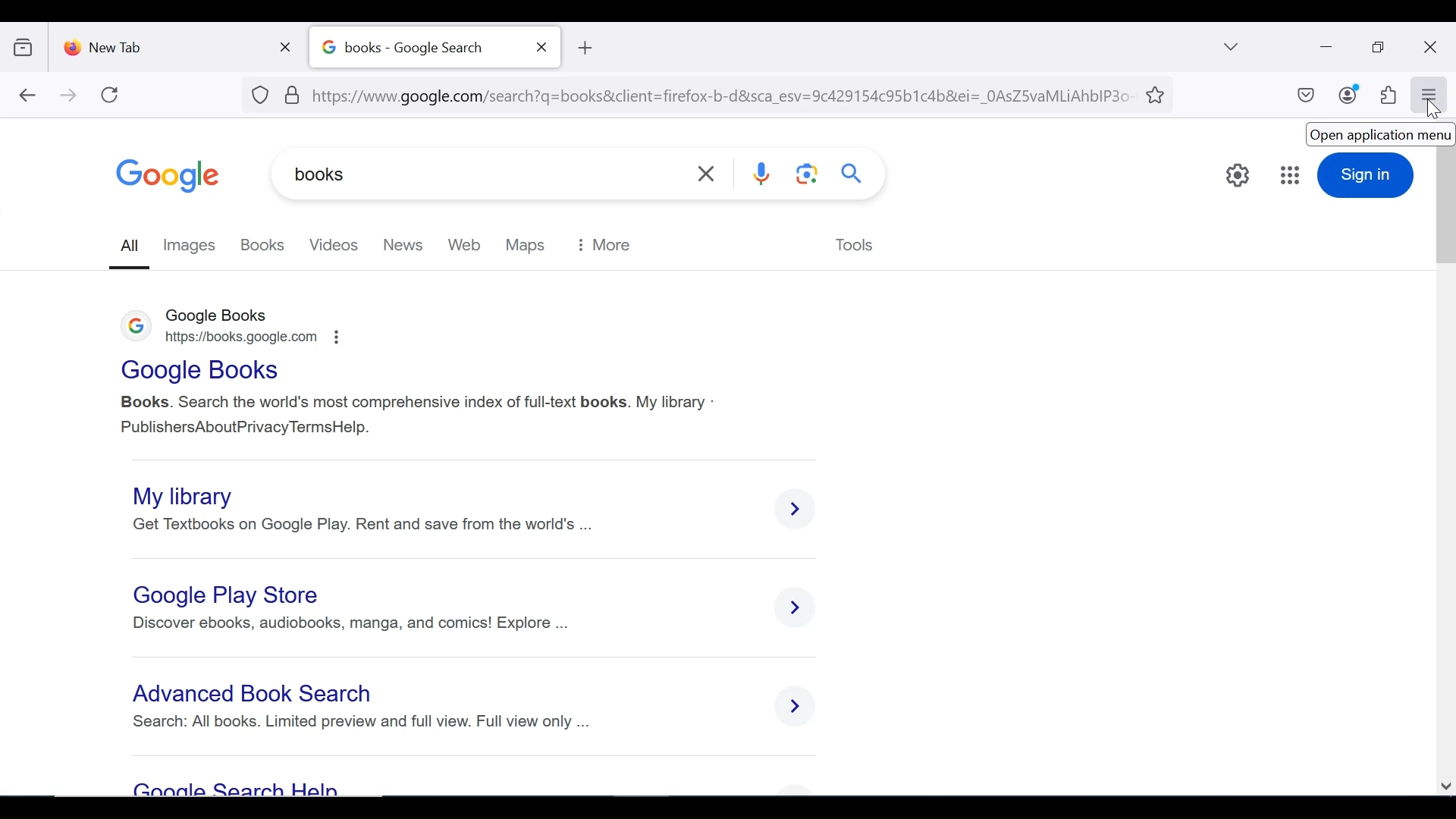 Image resolution: width=1456 pixels, height=819 pixels. I want to click on https://books.google.com, so click(255, 337).